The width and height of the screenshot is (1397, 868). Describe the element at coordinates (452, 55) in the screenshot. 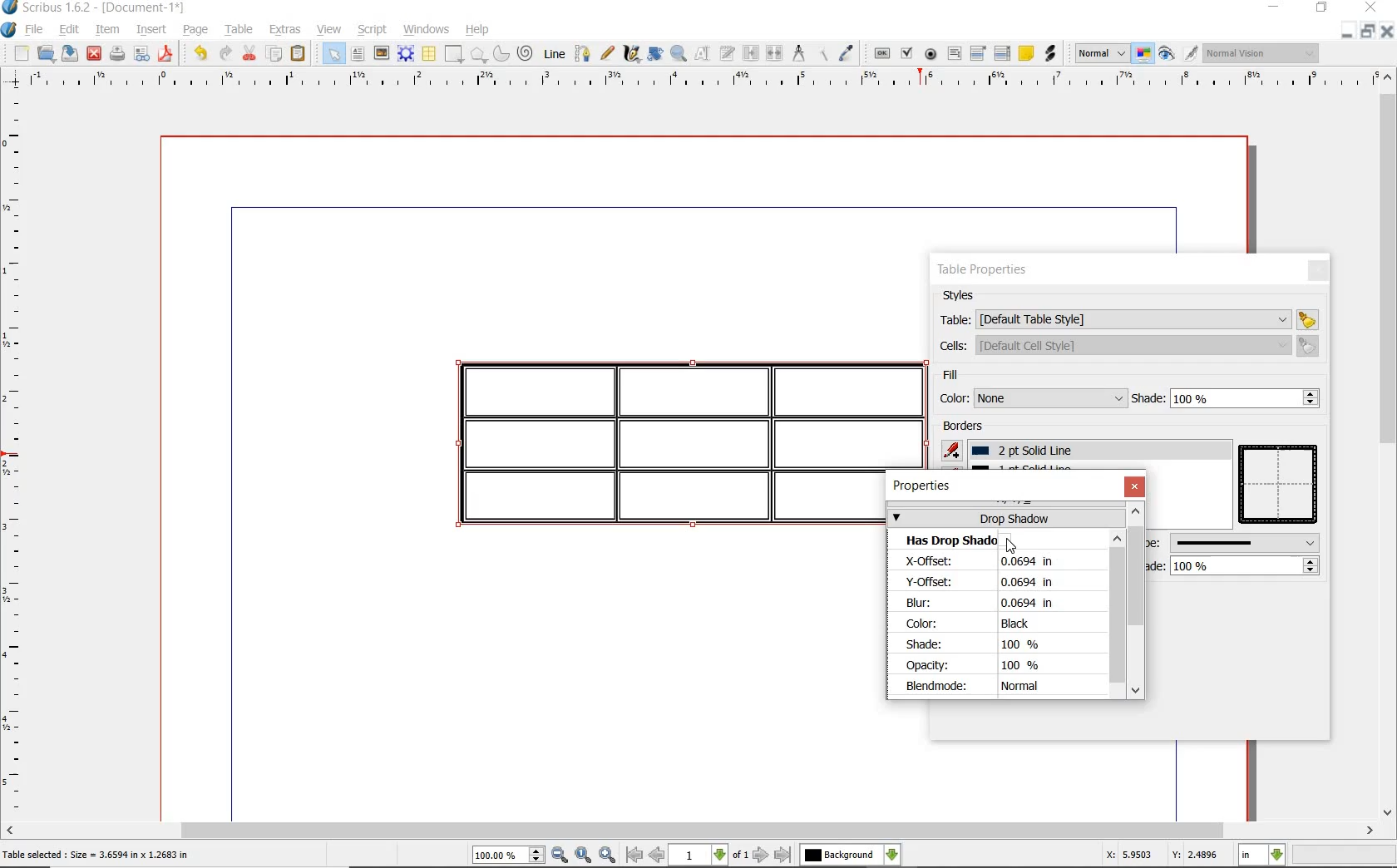

I see `shape` at that location.